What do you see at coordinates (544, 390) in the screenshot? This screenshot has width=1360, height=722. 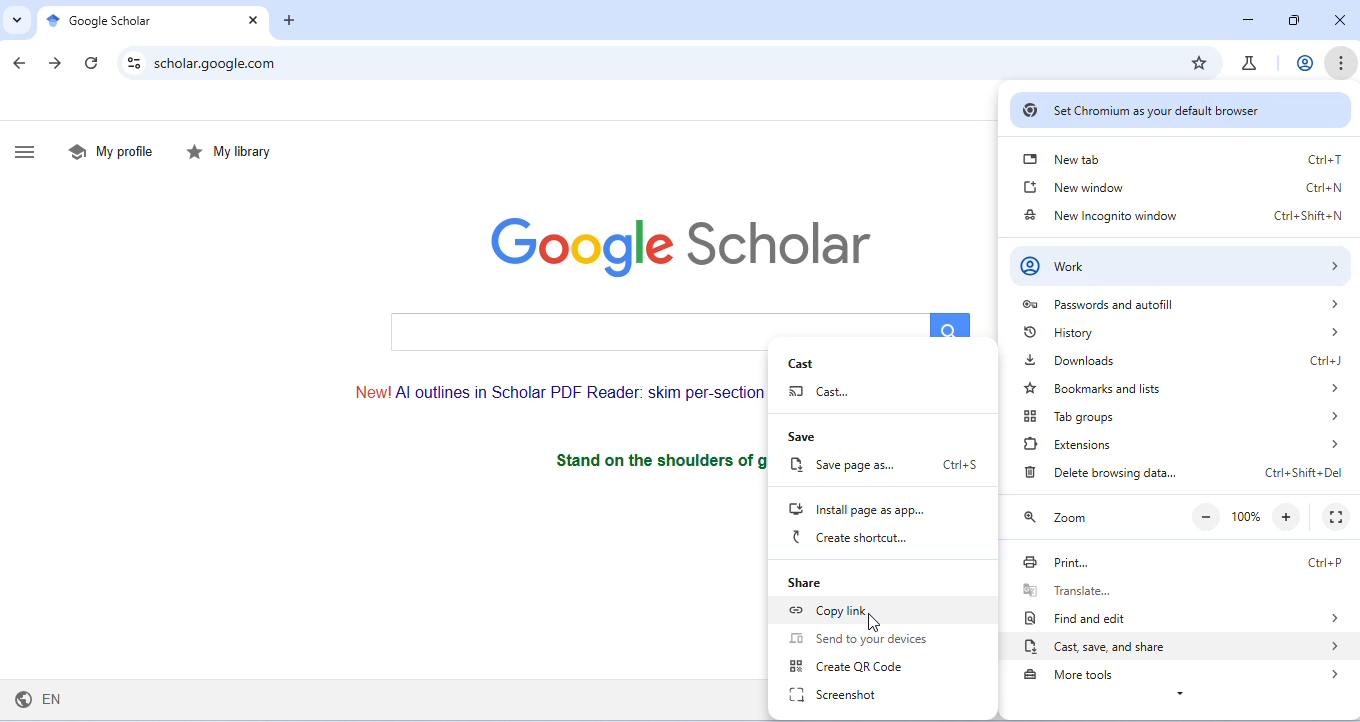 I see `text on AI outlines` at bounding box center [544, 390].